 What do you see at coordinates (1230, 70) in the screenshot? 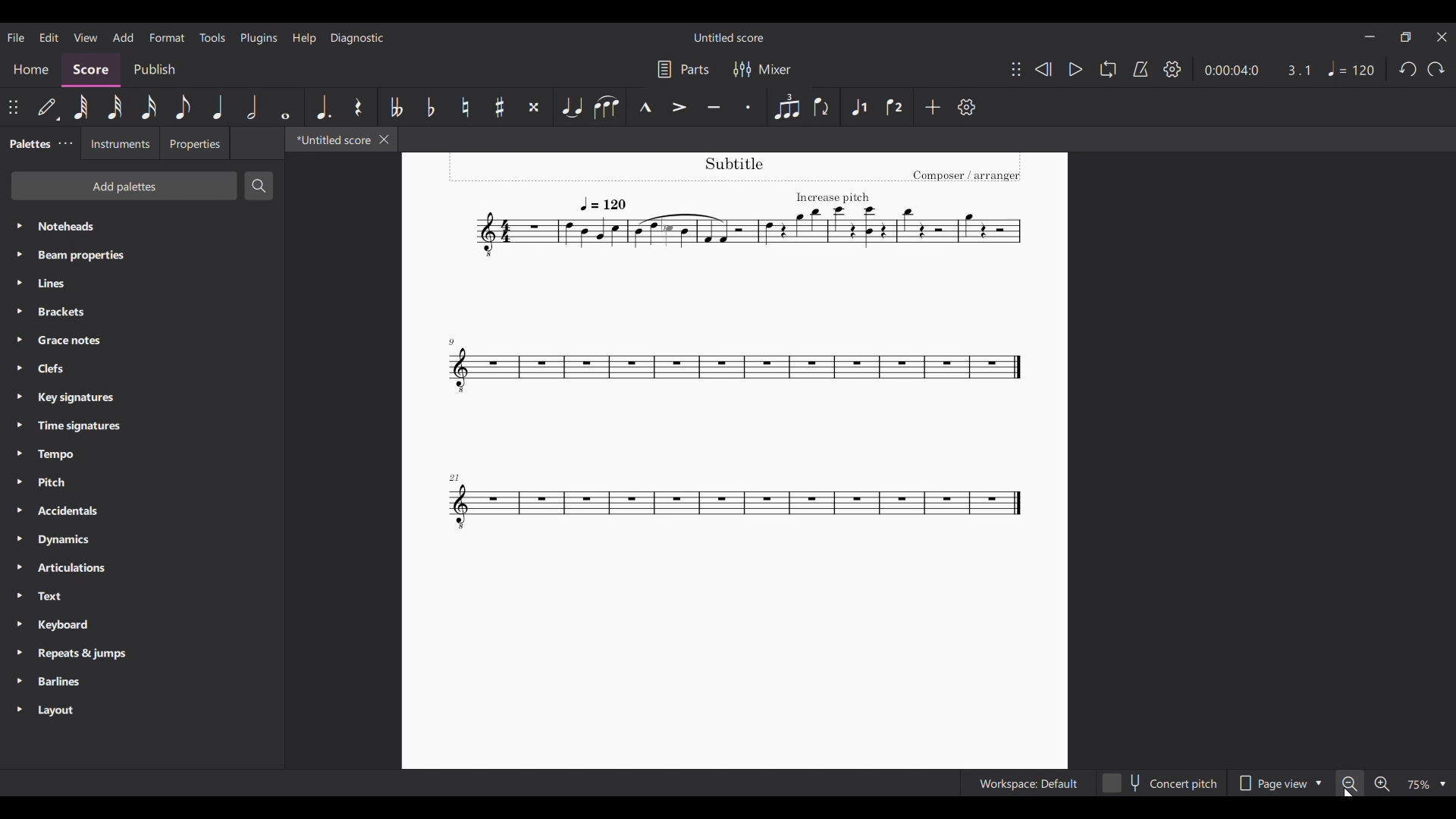
I see `Current duration` at bounding box center [1230, 70].